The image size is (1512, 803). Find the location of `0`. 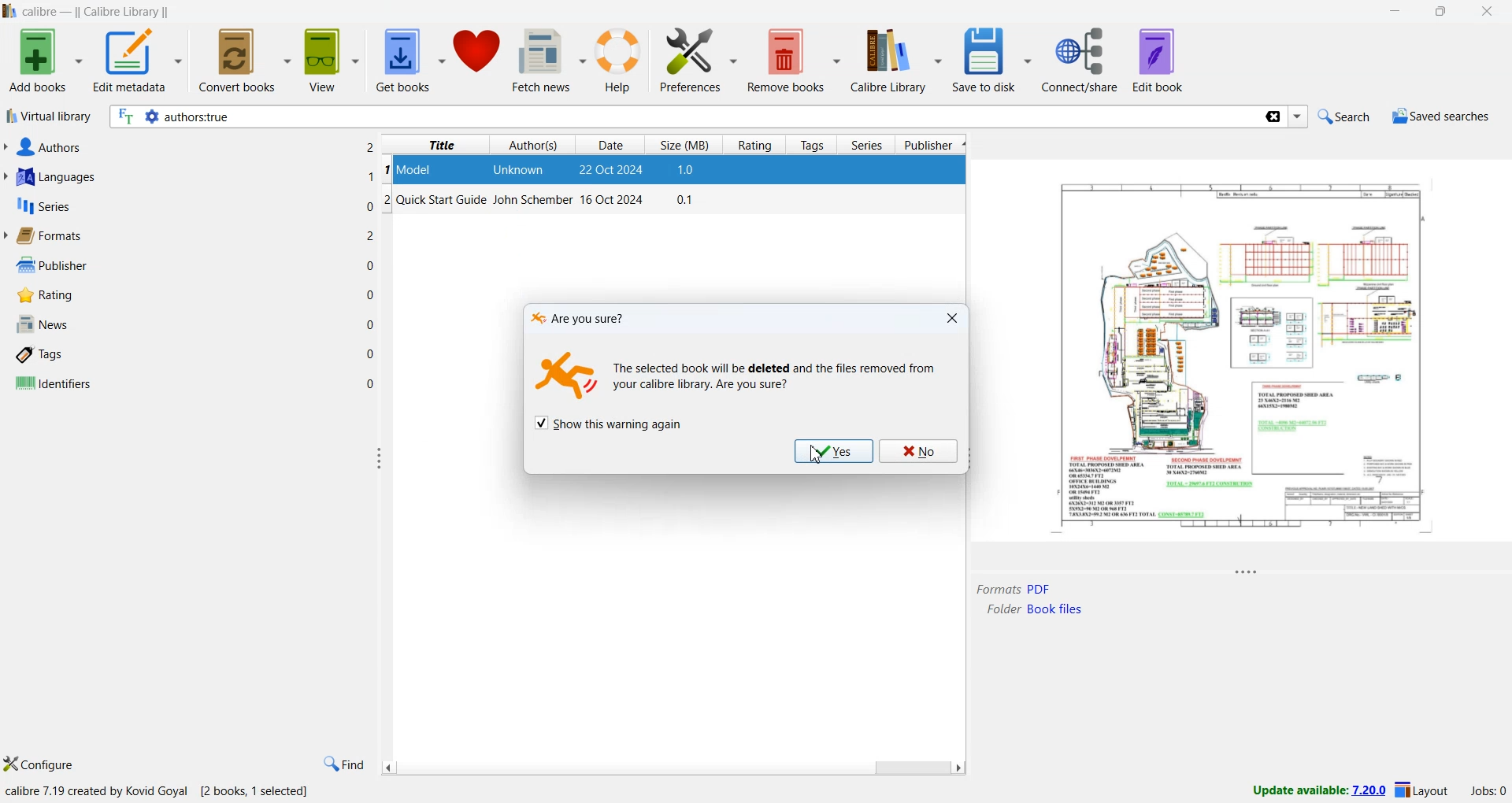

0 is located at coordinates (369, 205).